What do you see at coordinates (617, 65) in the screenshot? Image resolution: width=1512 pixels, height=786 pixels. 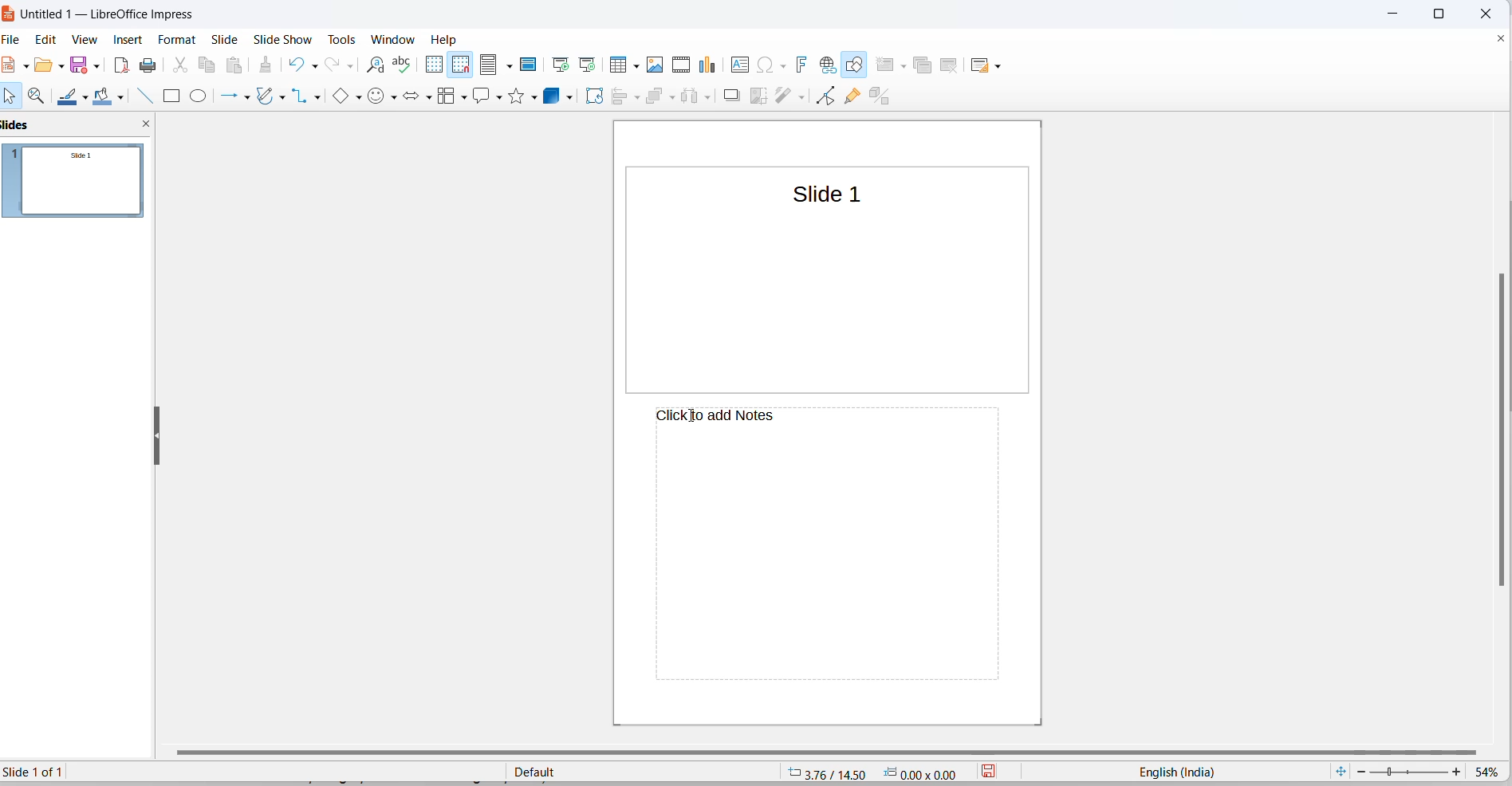 I see `insert table` at bounding box center [617, 65].